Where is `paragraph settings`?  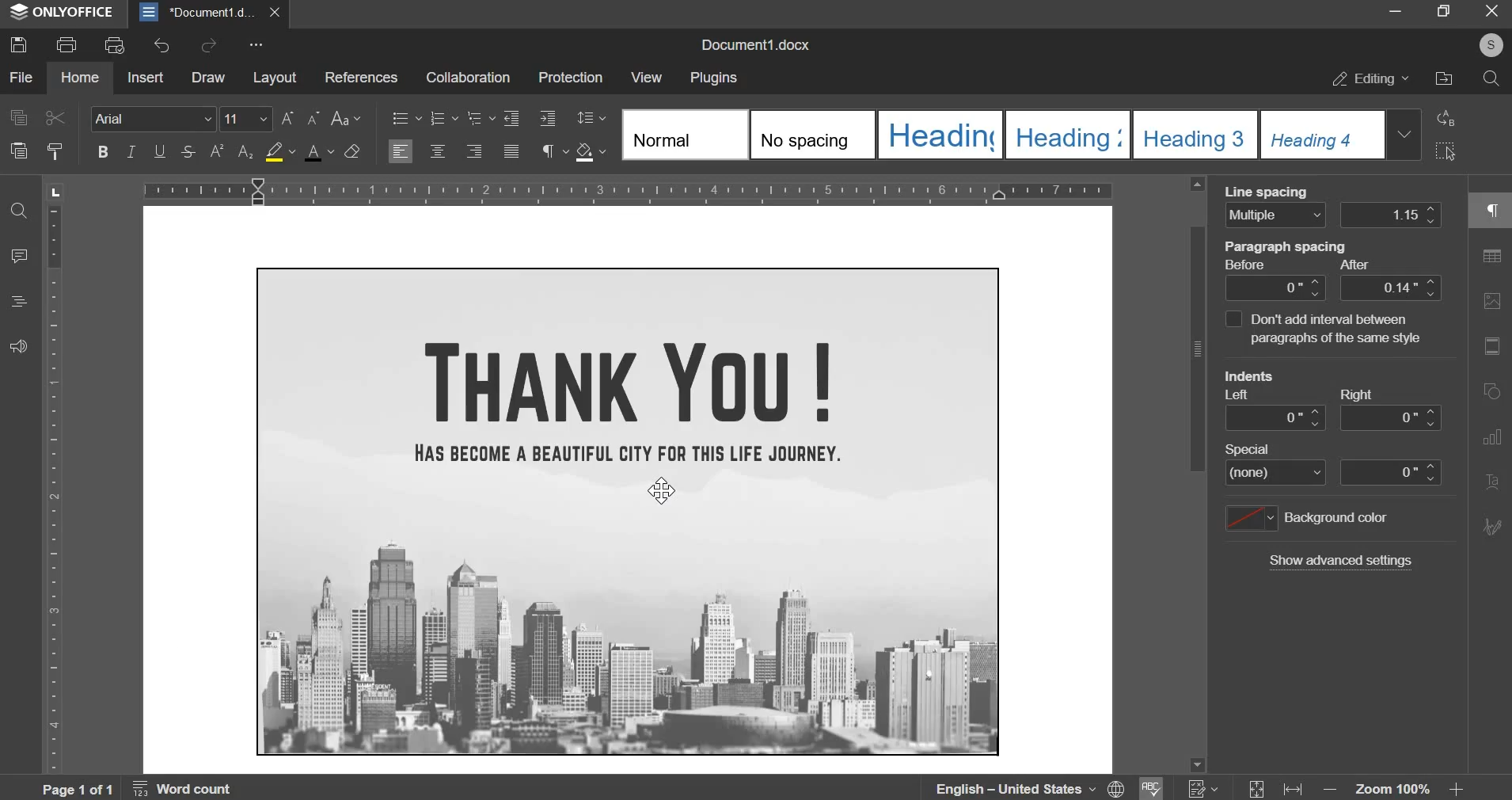
paragraph settings is located at coordinates (553, 151).